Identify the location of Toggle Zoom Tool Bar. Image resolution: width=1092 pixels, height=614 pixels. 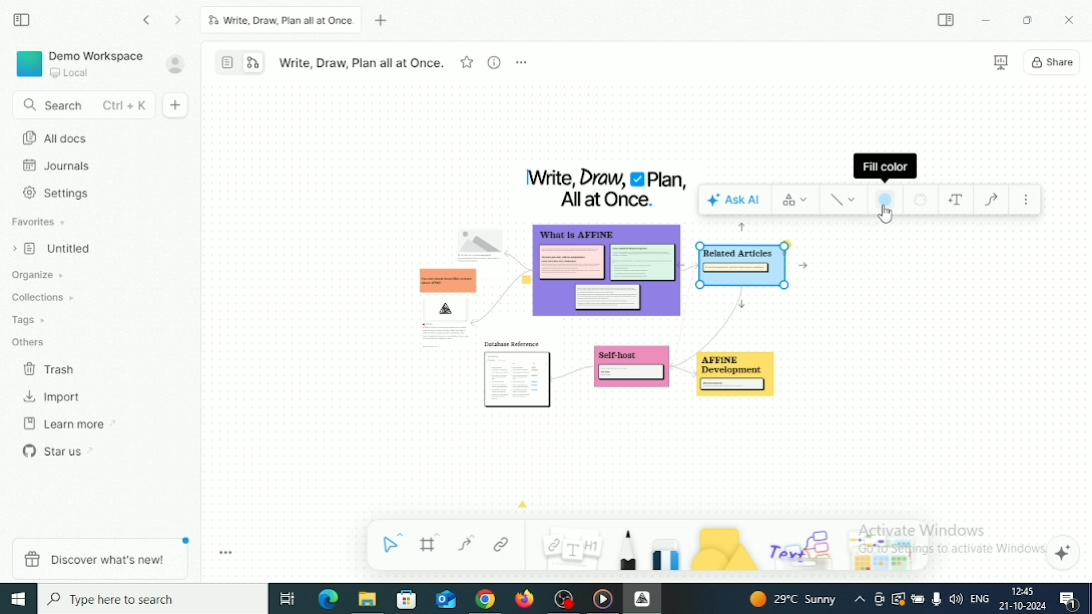
(227, 553).